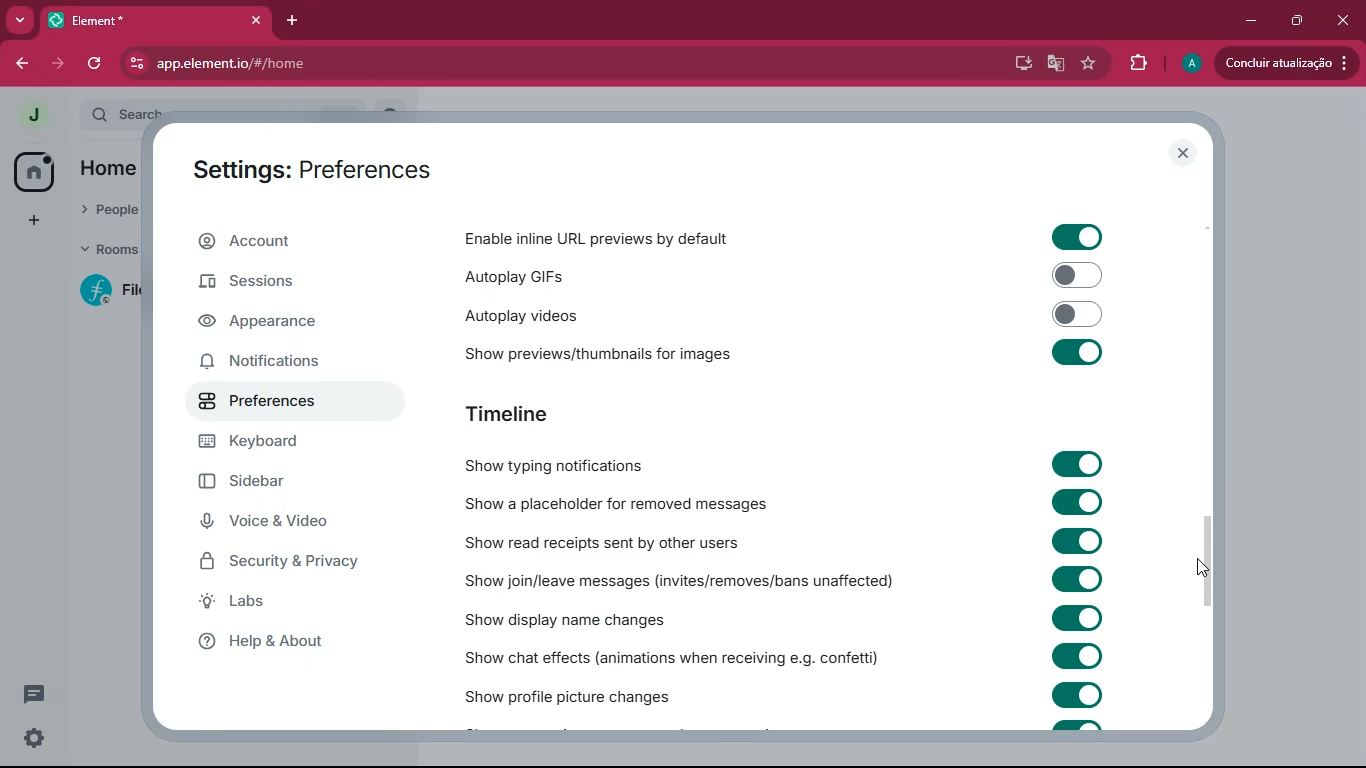  Describe the element at coordinates (32, 218) in the screenshot. I see `more` at that location.